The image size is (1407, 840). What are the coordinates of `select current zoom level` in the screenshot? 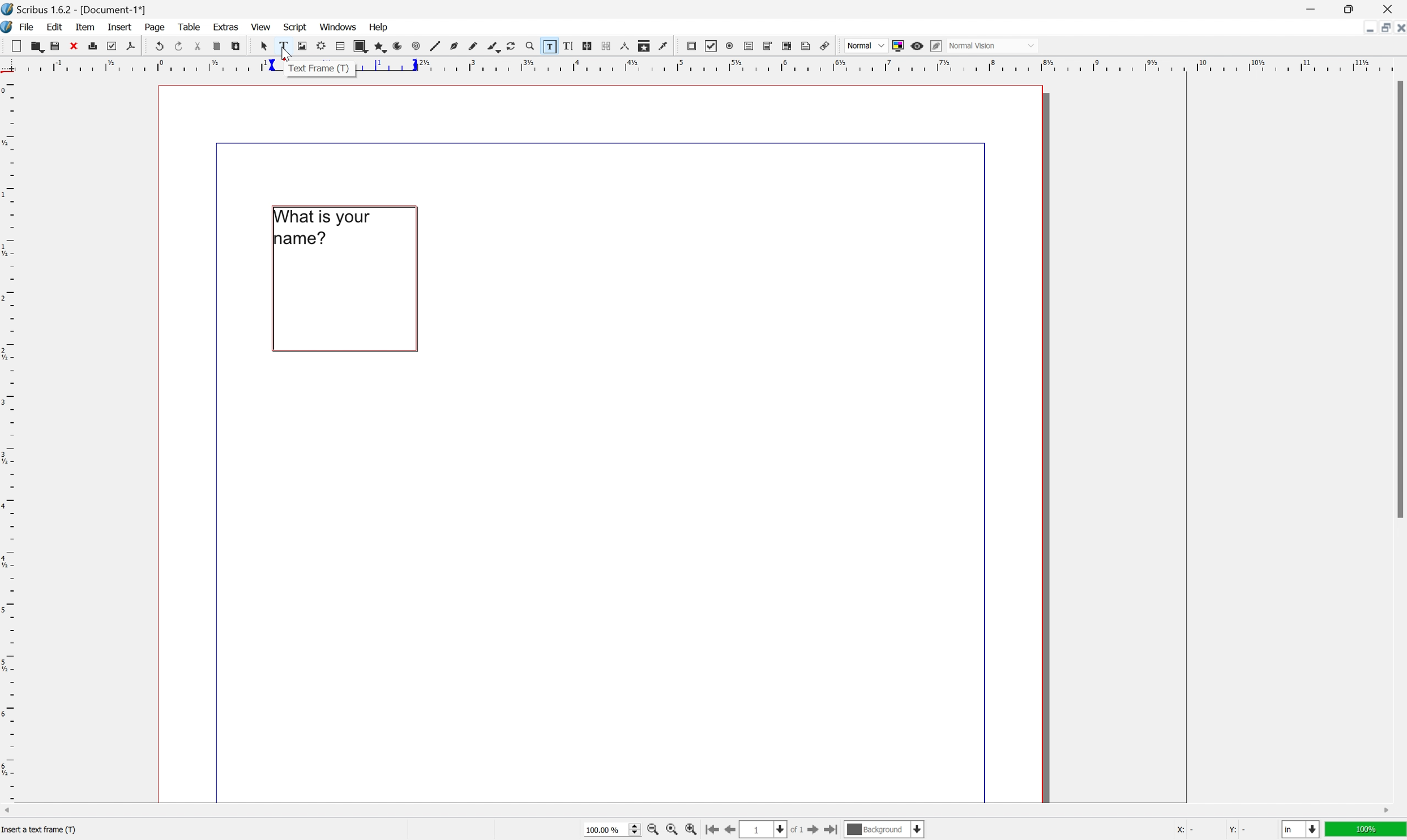 It's located at (613, 832).